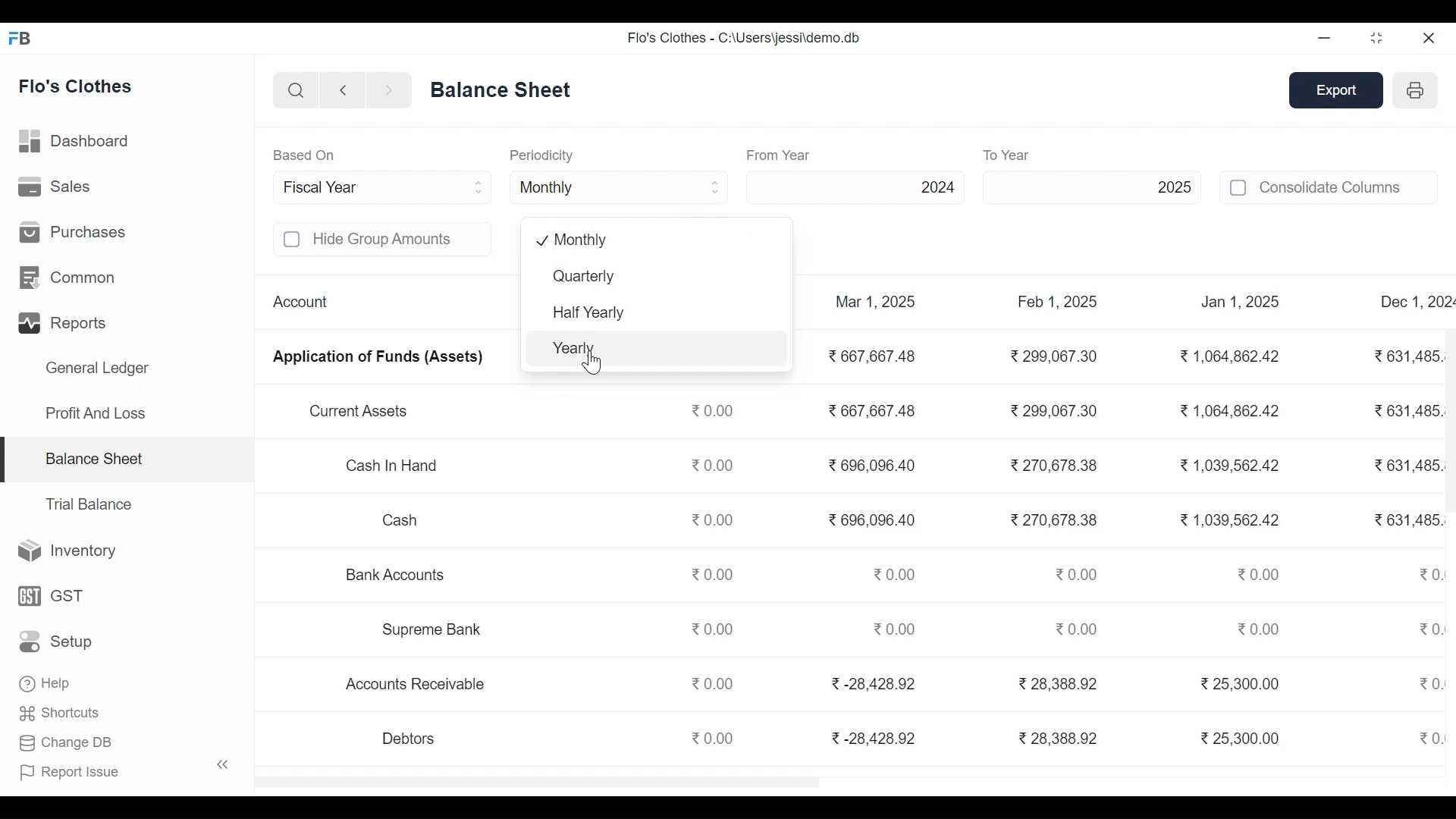 Image resolution: width=1456 pixels, height=819 pixels. What do you see at coordinates (1058, 303) in the screenshot?
I see `Feb 1, 2025` at bounding box center [1058, 303].